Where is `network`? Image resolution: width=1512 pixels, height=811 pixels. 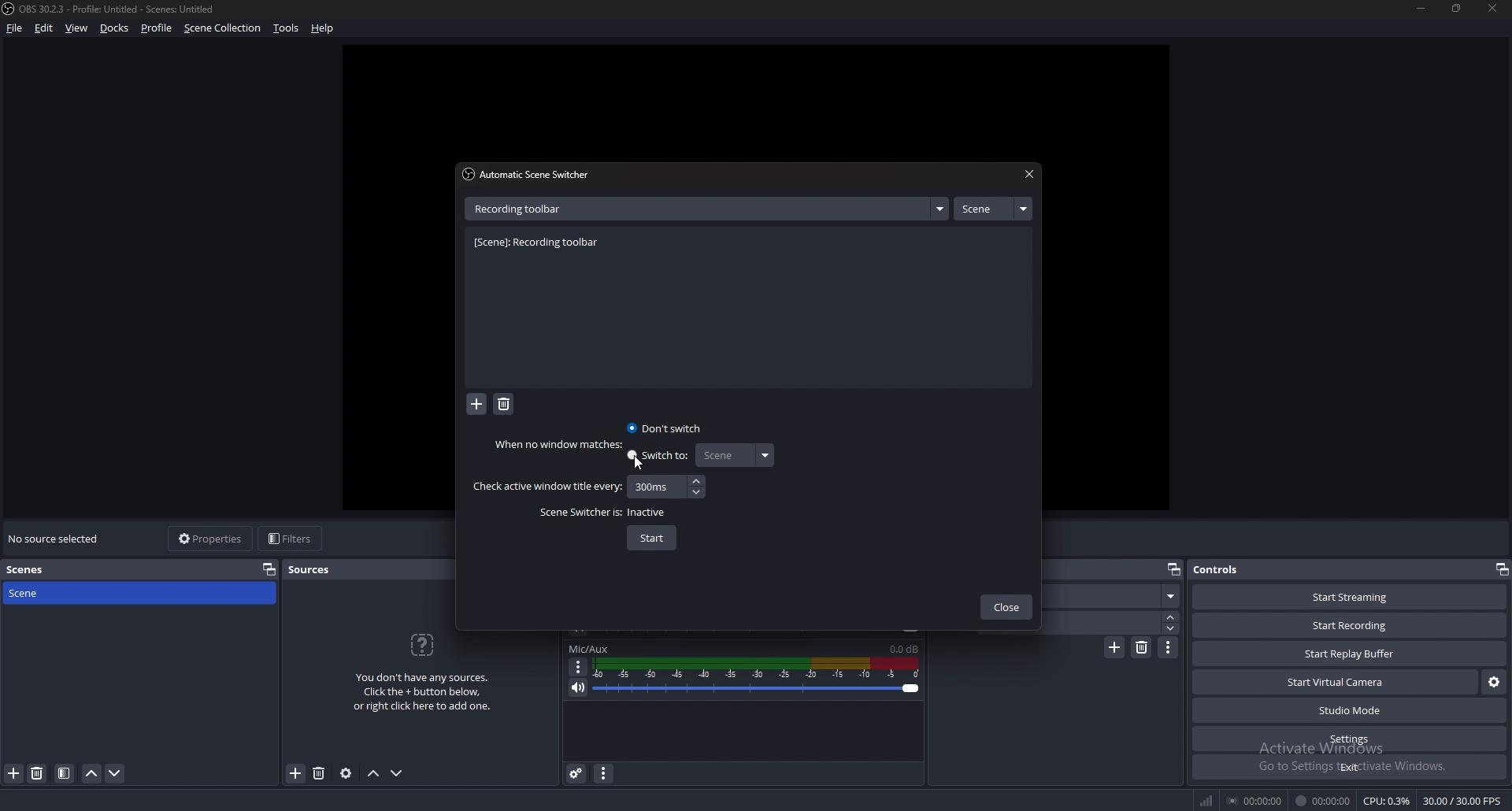
network is located at coordinates (1208, 800).